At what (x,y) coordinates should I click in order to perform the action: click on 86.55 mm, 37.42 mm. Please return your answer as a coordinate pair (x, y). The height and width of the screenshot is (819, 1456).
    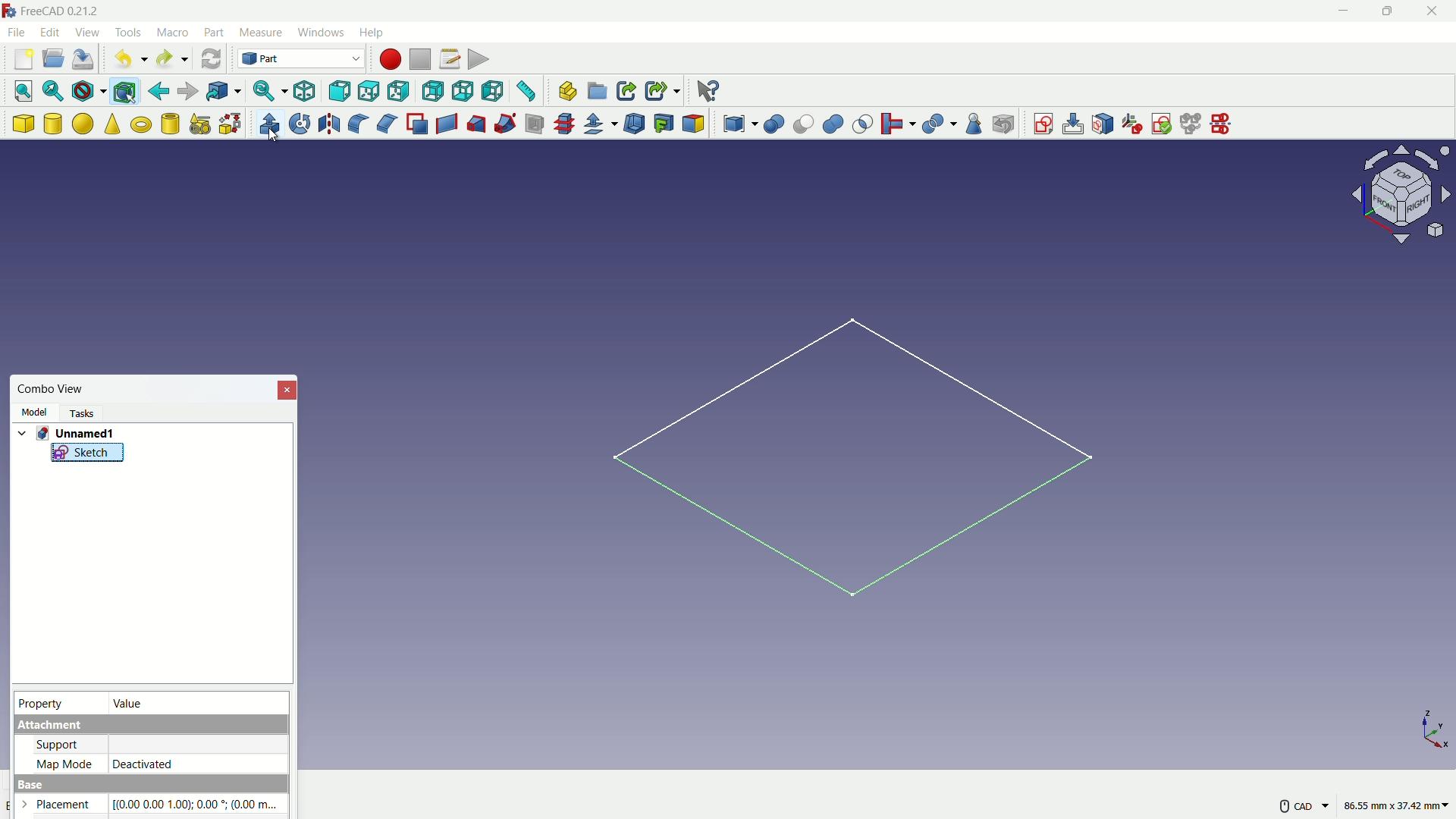
    Looking at the image, I should click on (1397, 805).